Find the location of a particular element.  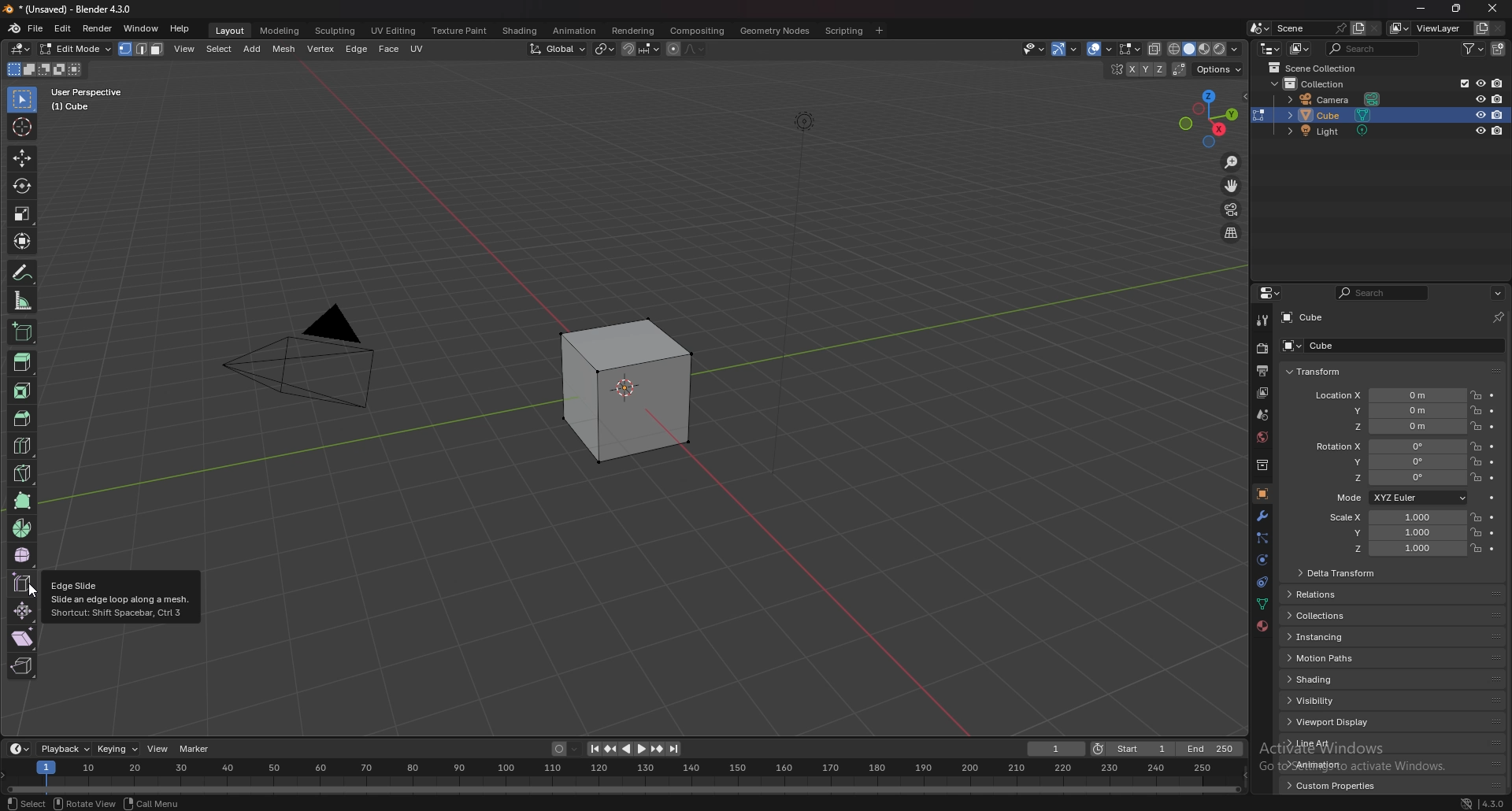

display mode is located at coordinates (1300, 49).